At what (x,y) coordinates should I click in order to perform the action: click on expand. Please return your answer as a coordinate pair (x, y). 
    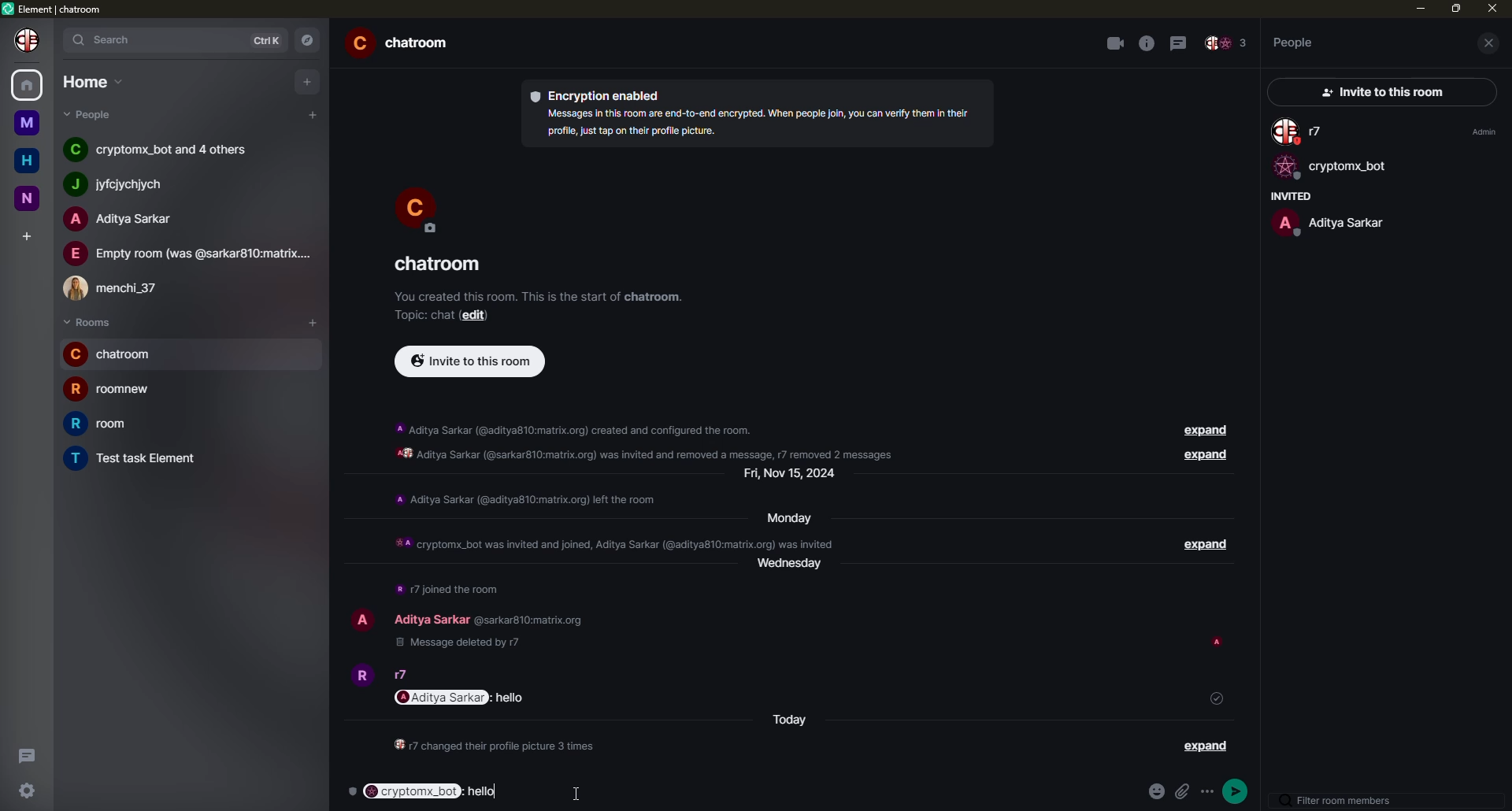
    Looking at the image, I should click on (1199, 546).